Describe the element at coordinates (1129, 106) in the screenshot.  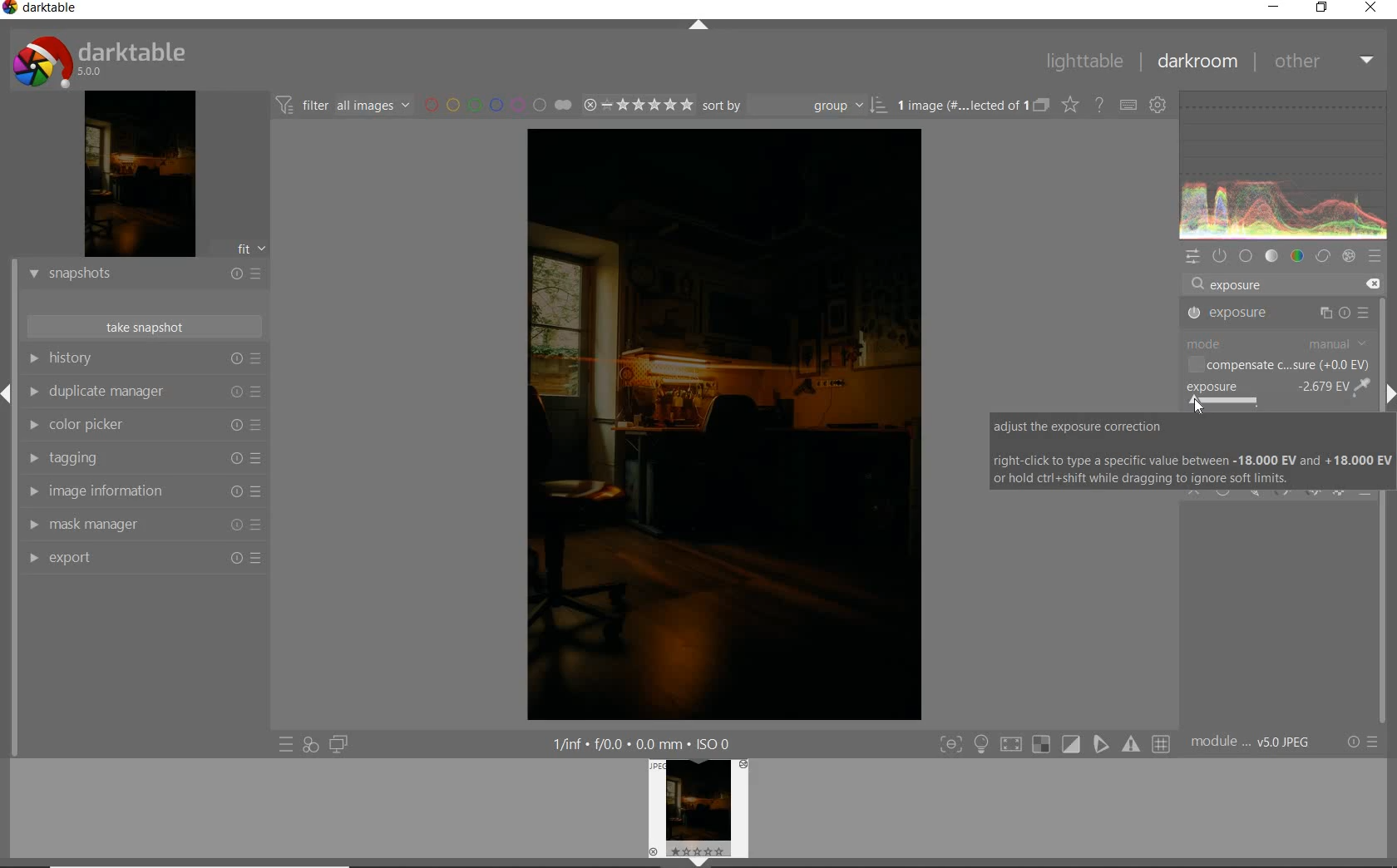
I see `set keyboard shortcuts` at that location.